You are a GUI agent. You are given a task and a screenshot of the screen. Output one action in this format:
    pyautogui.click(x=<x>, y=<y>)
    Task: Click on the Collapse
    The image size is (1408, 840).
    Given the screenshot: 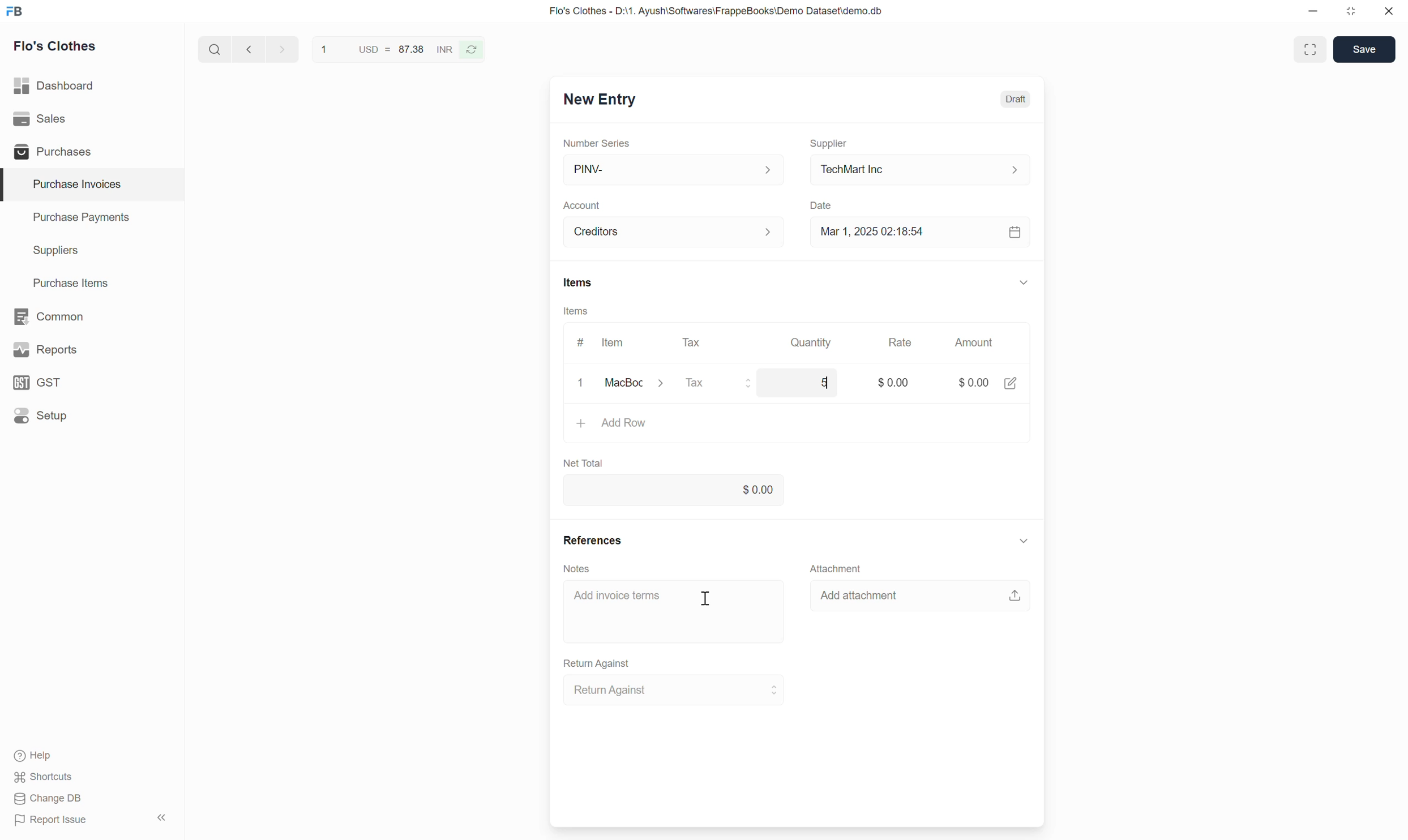 What is the action you would take?
    pyautogui.click(x=1024, y=282)
    